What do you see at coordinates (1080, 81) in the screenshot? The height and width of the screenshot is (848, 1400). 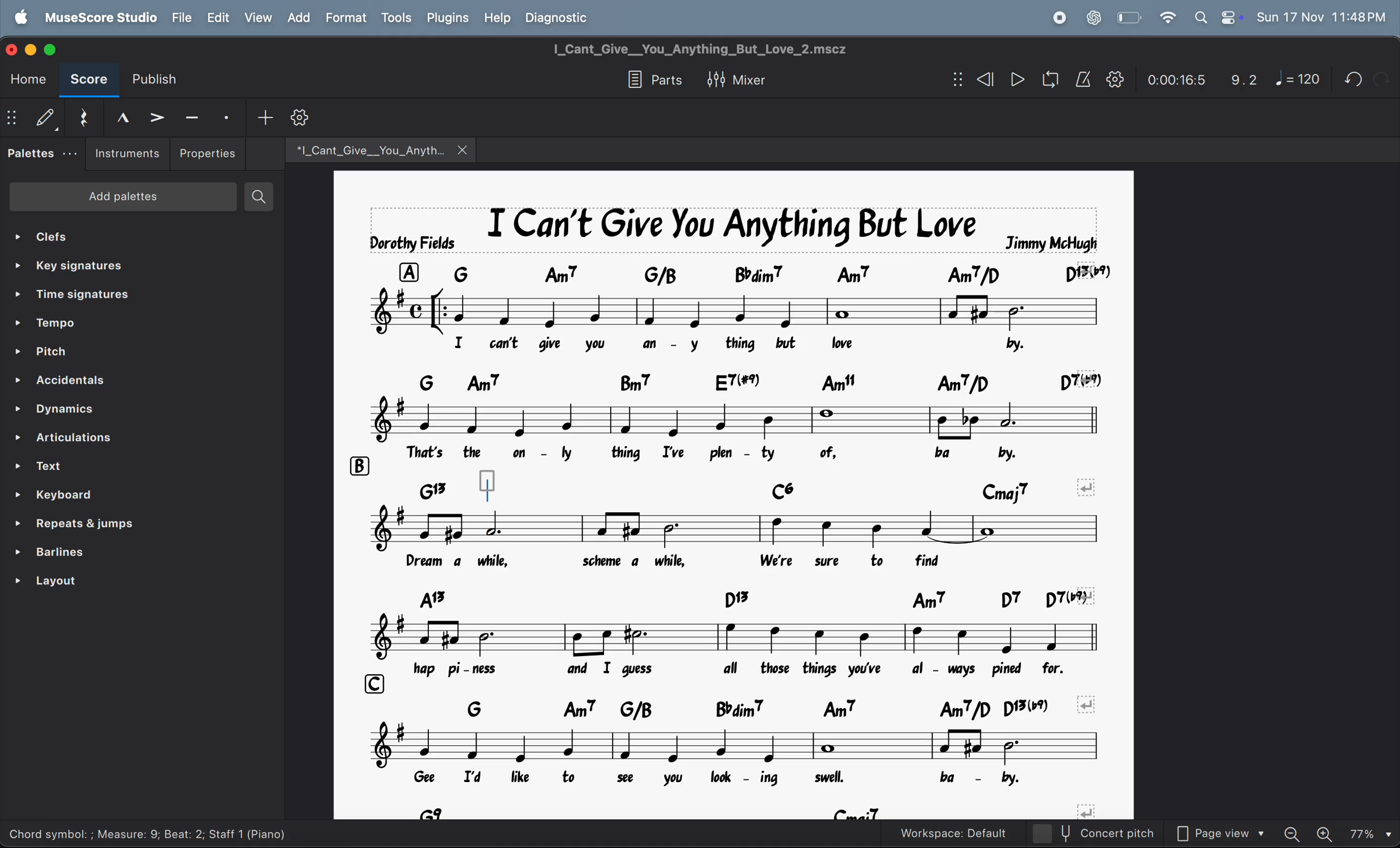 I see `metronome` at bounding box center [1080, 81].